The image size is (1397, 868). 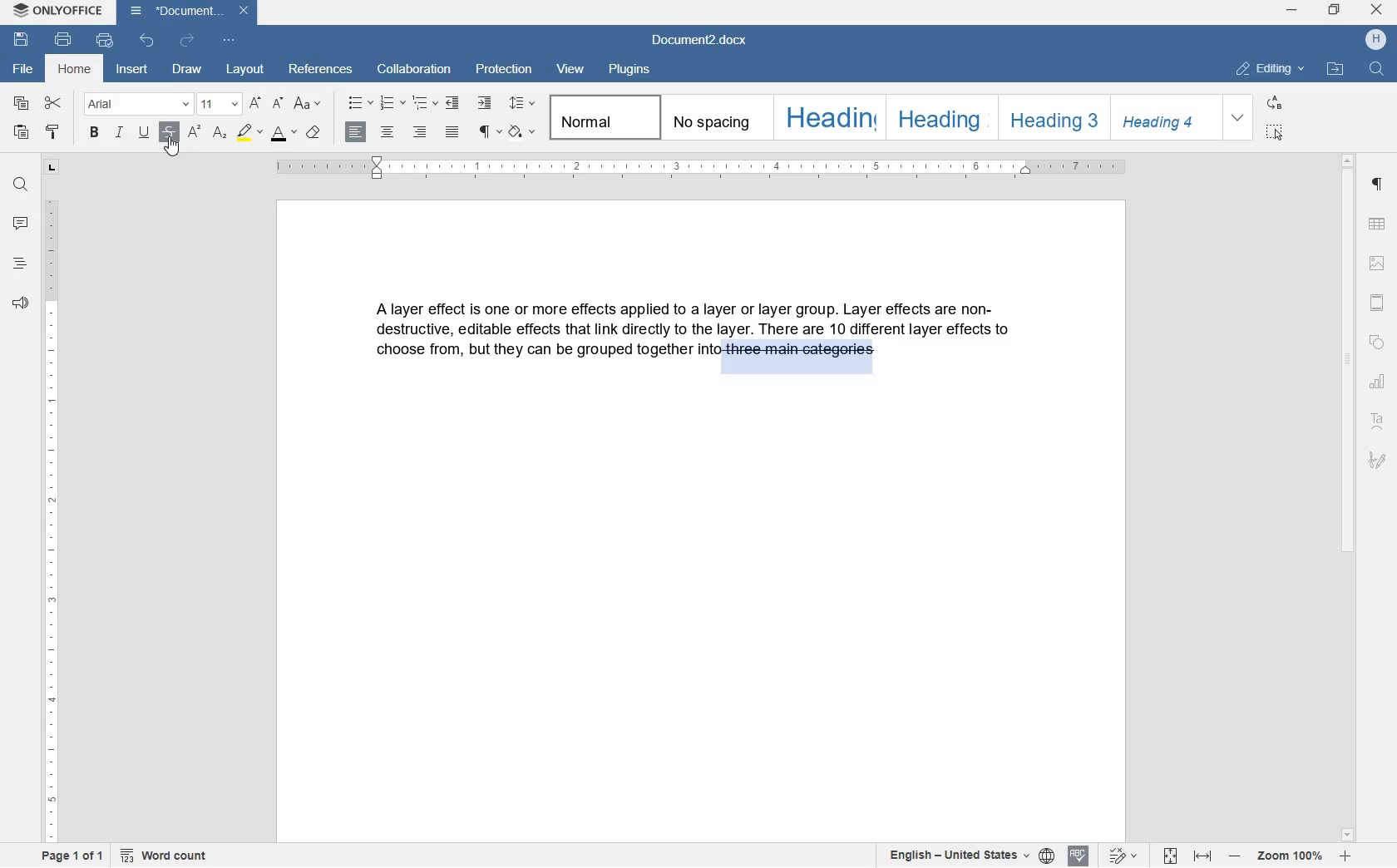 What do you see at coordinates (1273, 70) in the screenshot?
I see `editing` at bounding box center [1273, 70].